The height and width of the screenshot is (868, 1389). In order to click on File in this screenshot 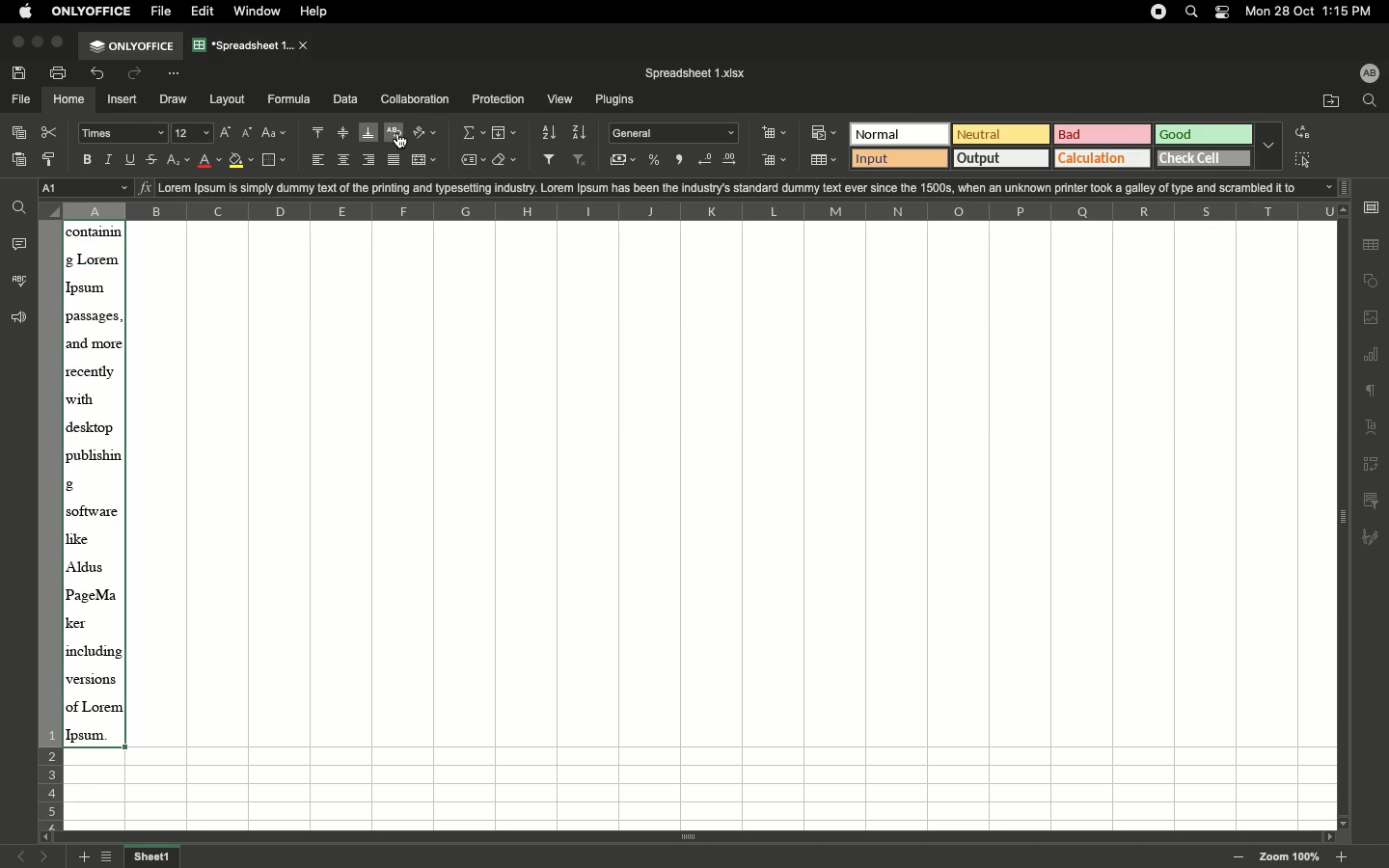, I will do `click(163, 13)`.